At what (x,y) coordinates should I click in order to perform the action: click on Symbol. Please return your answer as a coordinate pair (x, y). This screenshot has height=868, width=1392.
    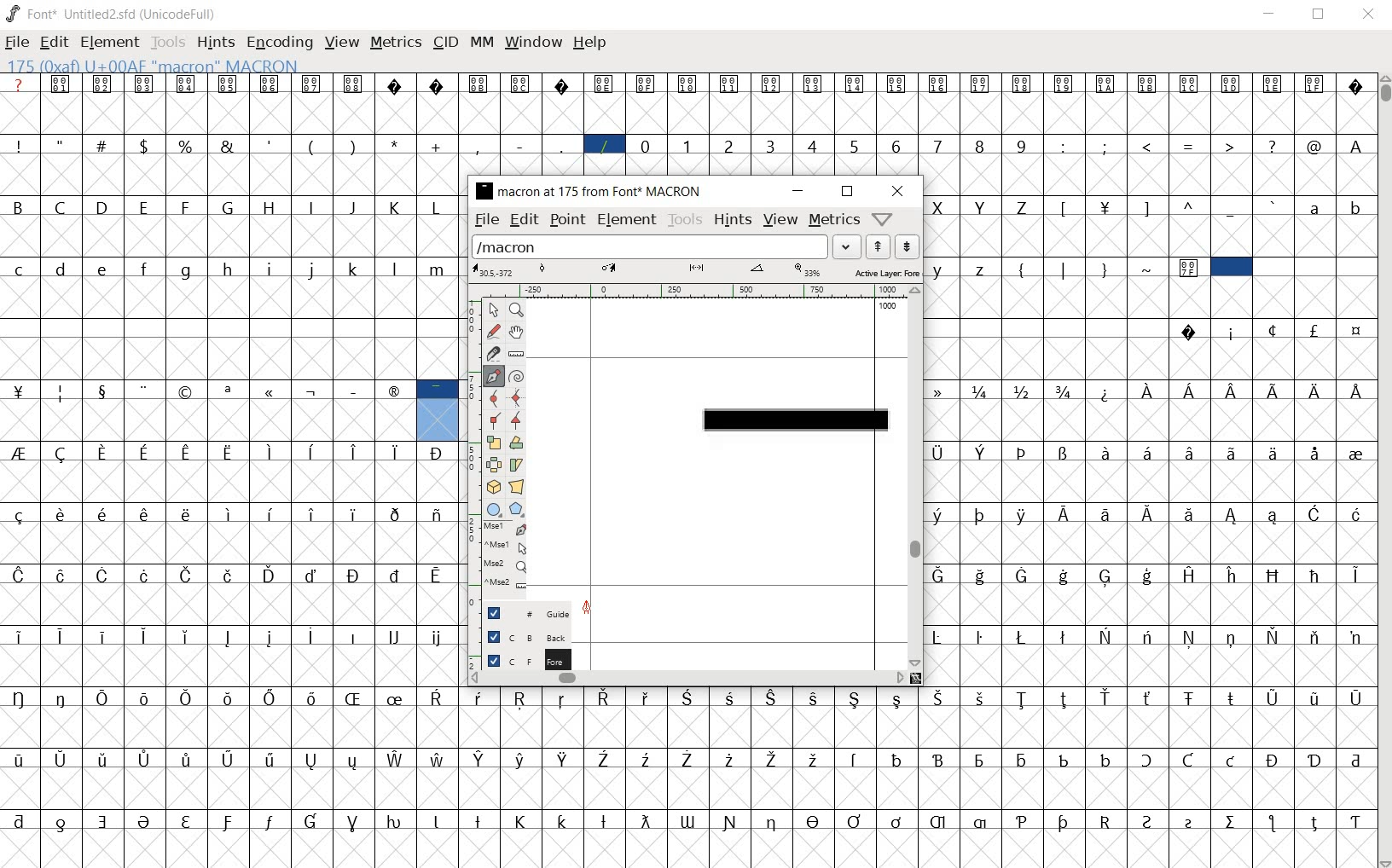
    Looking at the image, I should click on (566, 760).